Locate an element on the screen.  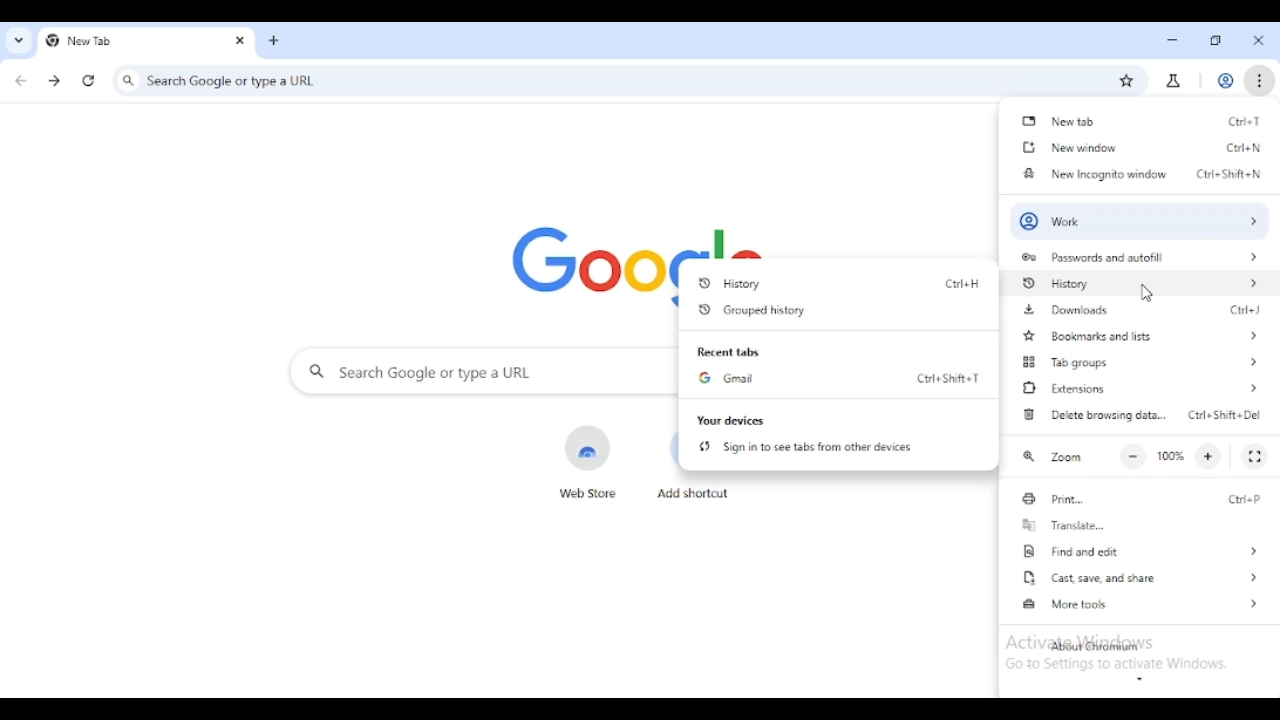
minimize is located at coordinates (1173, 41).